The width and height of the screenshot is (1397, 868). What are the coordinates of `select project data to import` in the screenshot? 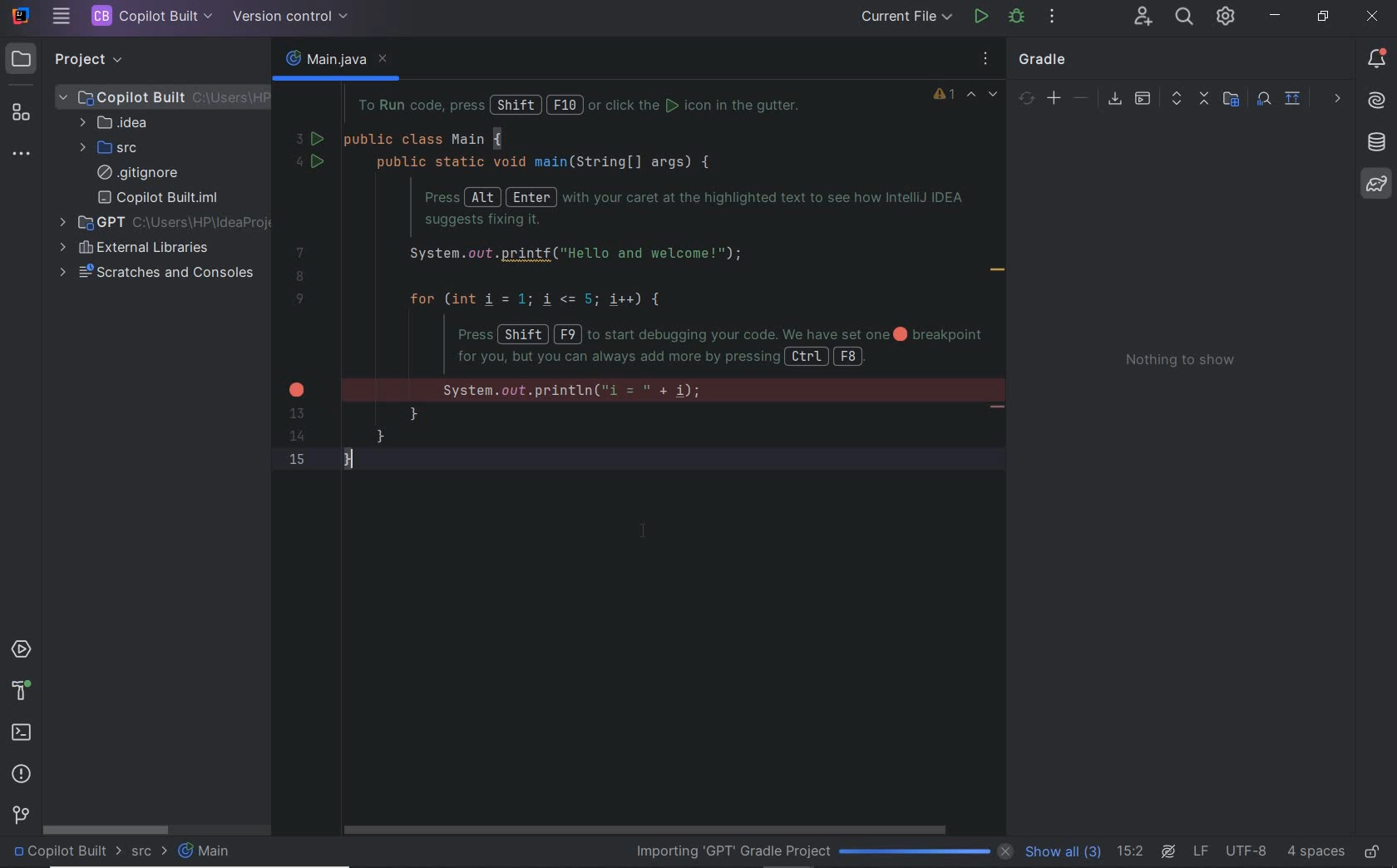 It's located at (1232, 101).